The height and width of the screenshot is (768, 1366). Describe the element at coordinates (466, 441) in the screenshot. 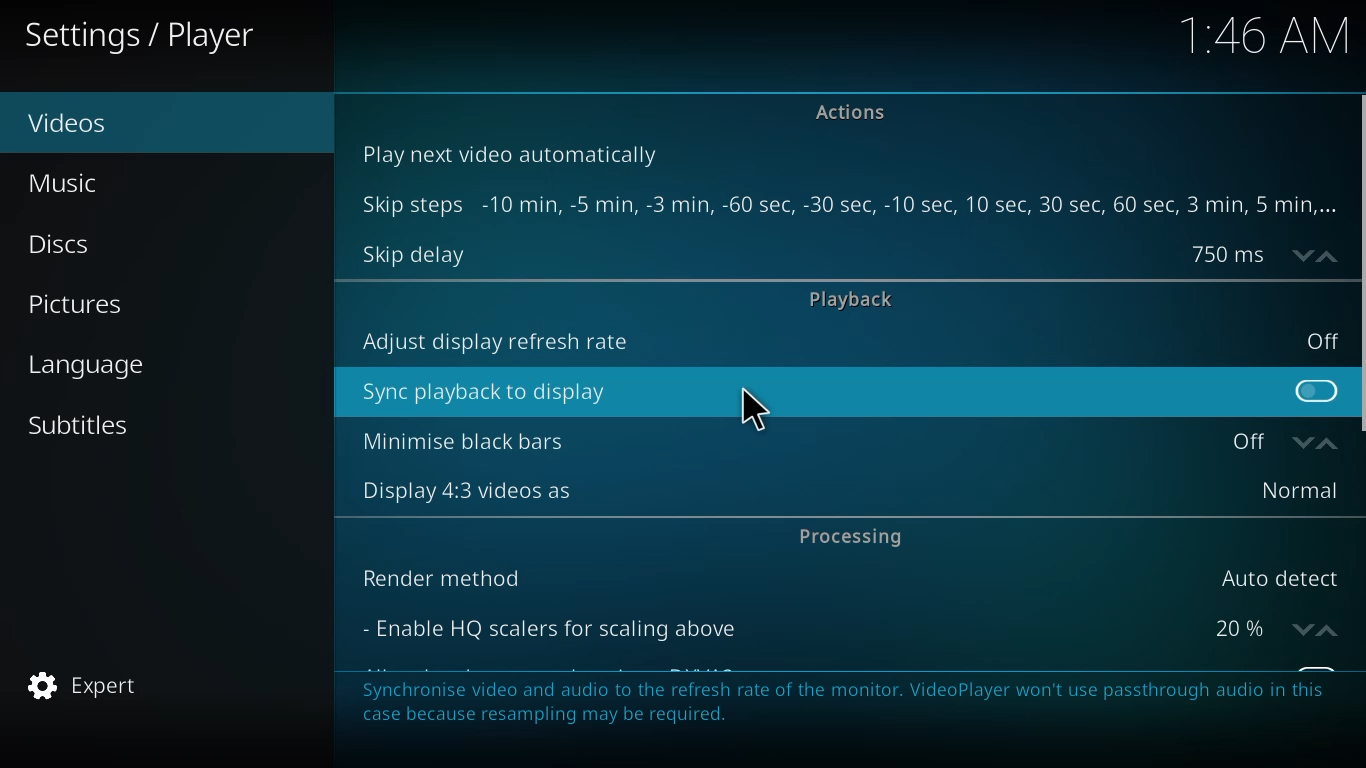

I see `minimise black bars` at that location.